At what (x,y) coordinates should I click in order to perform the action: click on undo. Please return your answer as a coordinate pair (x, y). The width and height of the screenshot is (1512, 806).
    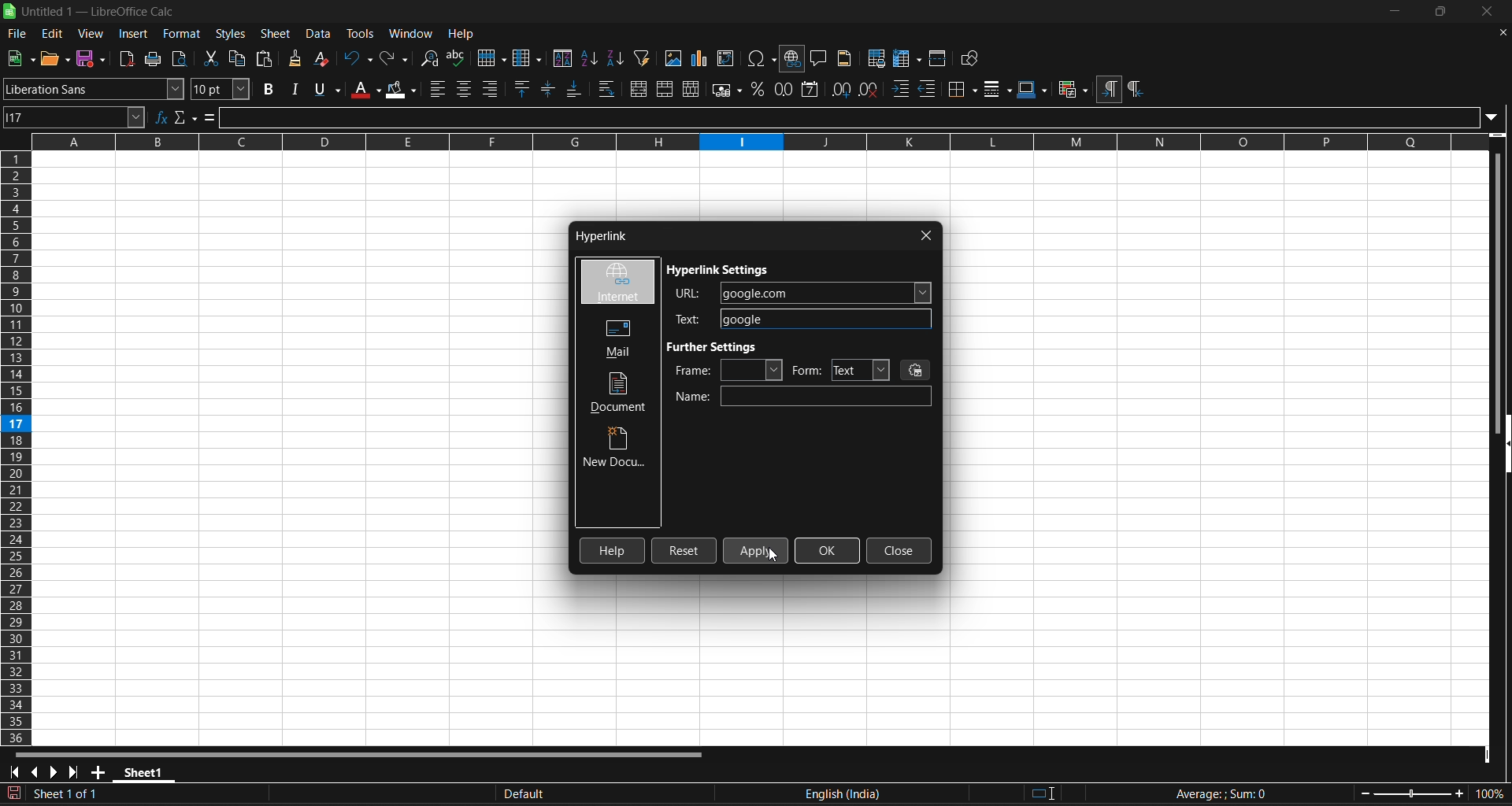
    Looking at the image, I should click on (358, 58).